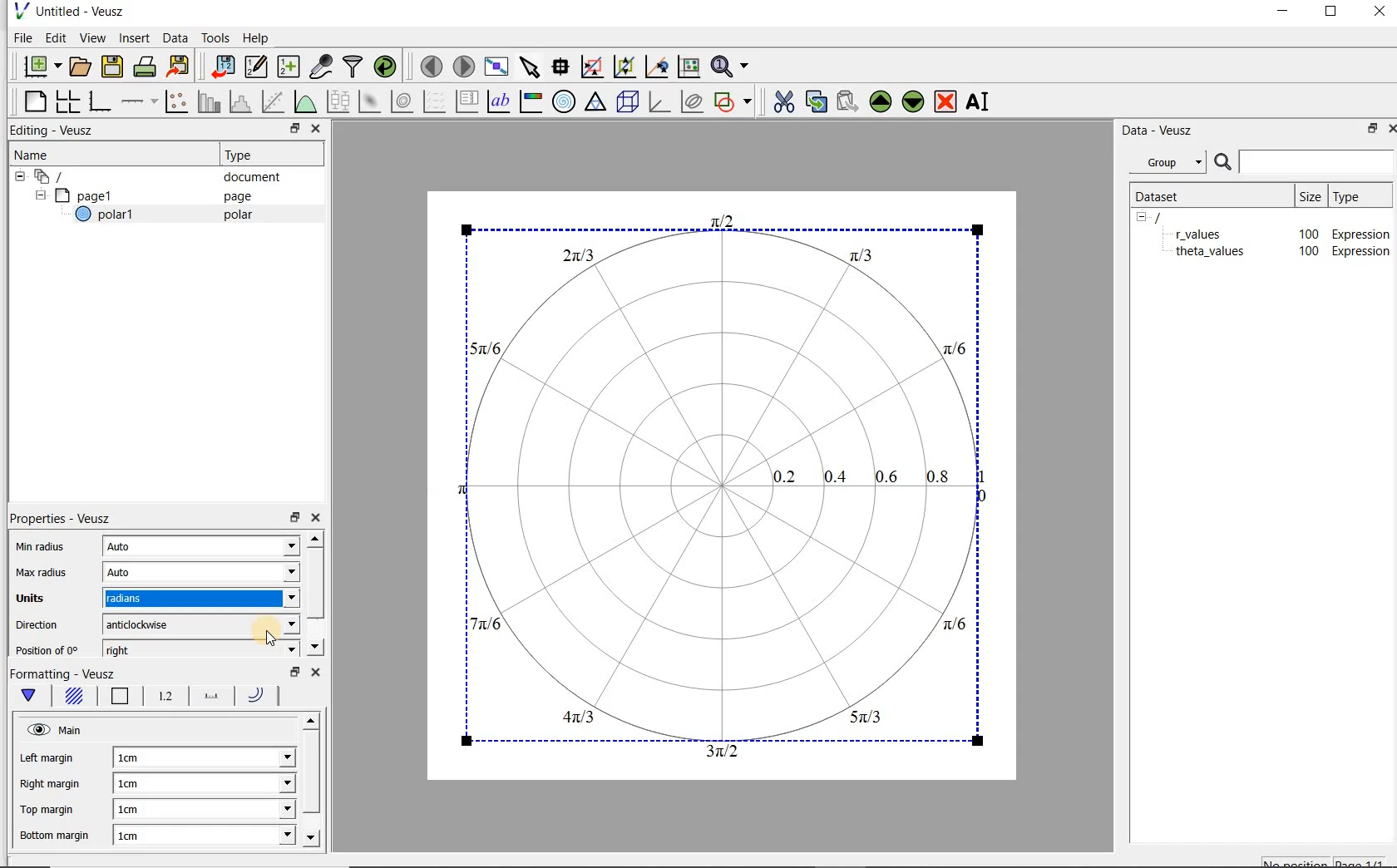  Describe the element at coordinates (260, 627) in the screenshot. I see `Cursor` at that location.